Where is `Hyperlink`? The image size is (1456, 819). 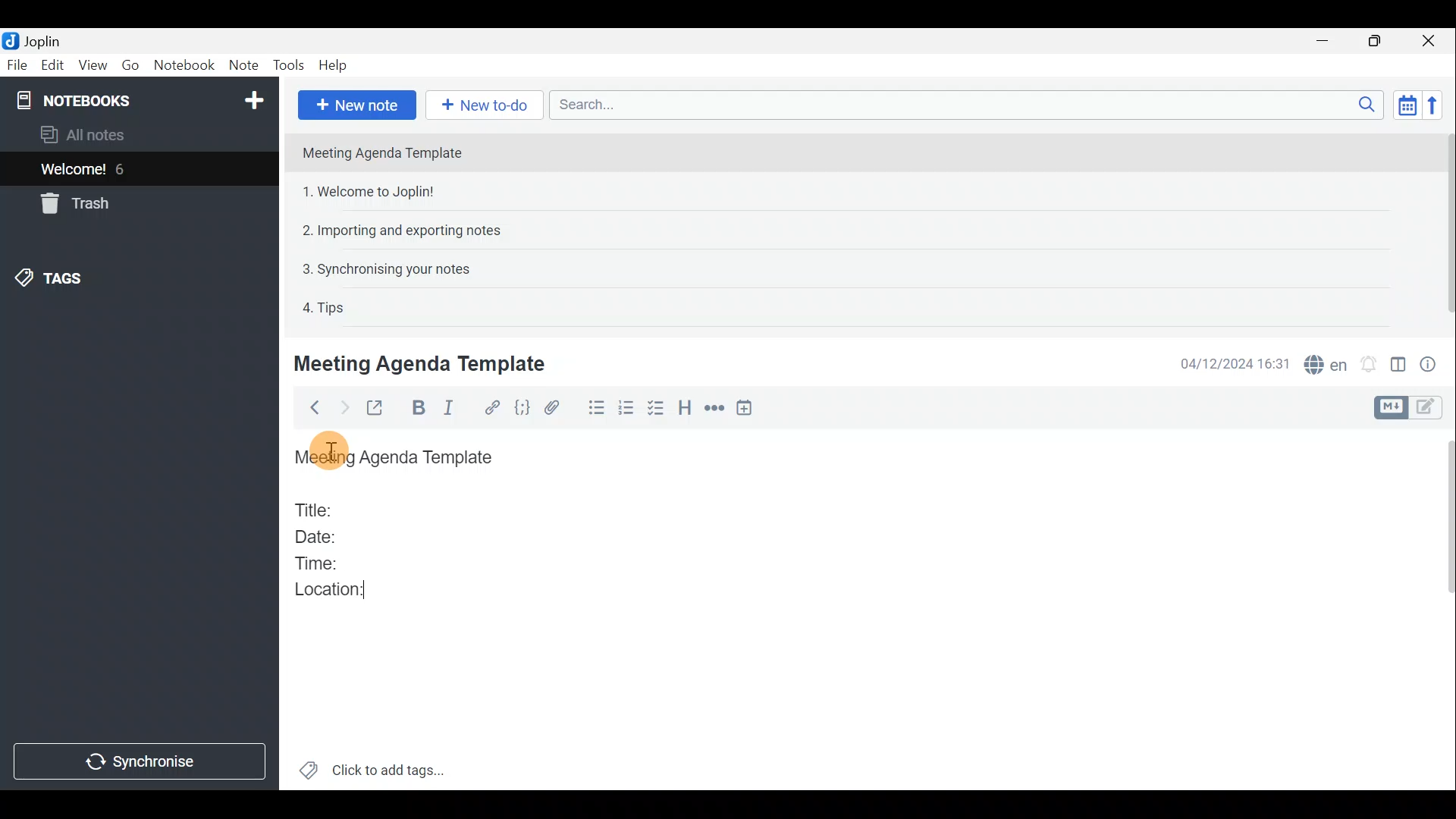
Hyperlink is located at coordinates (493, 407).